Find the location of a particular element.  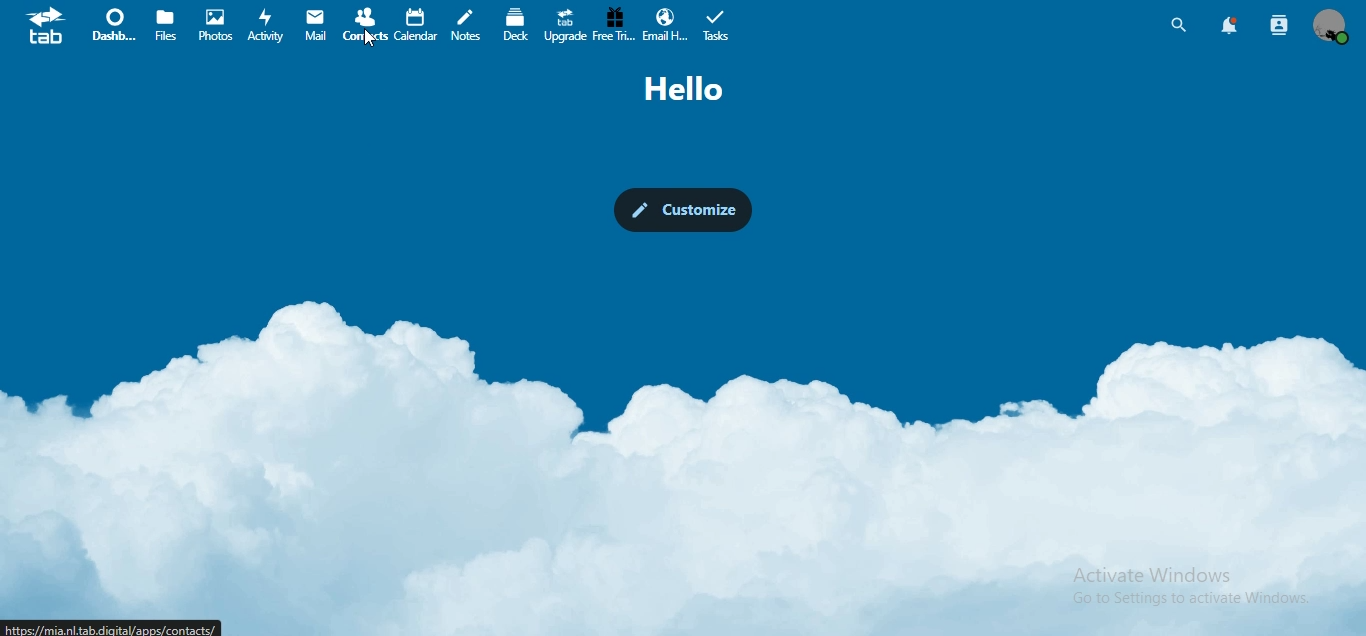

search is located at coordinates (1180, 25).